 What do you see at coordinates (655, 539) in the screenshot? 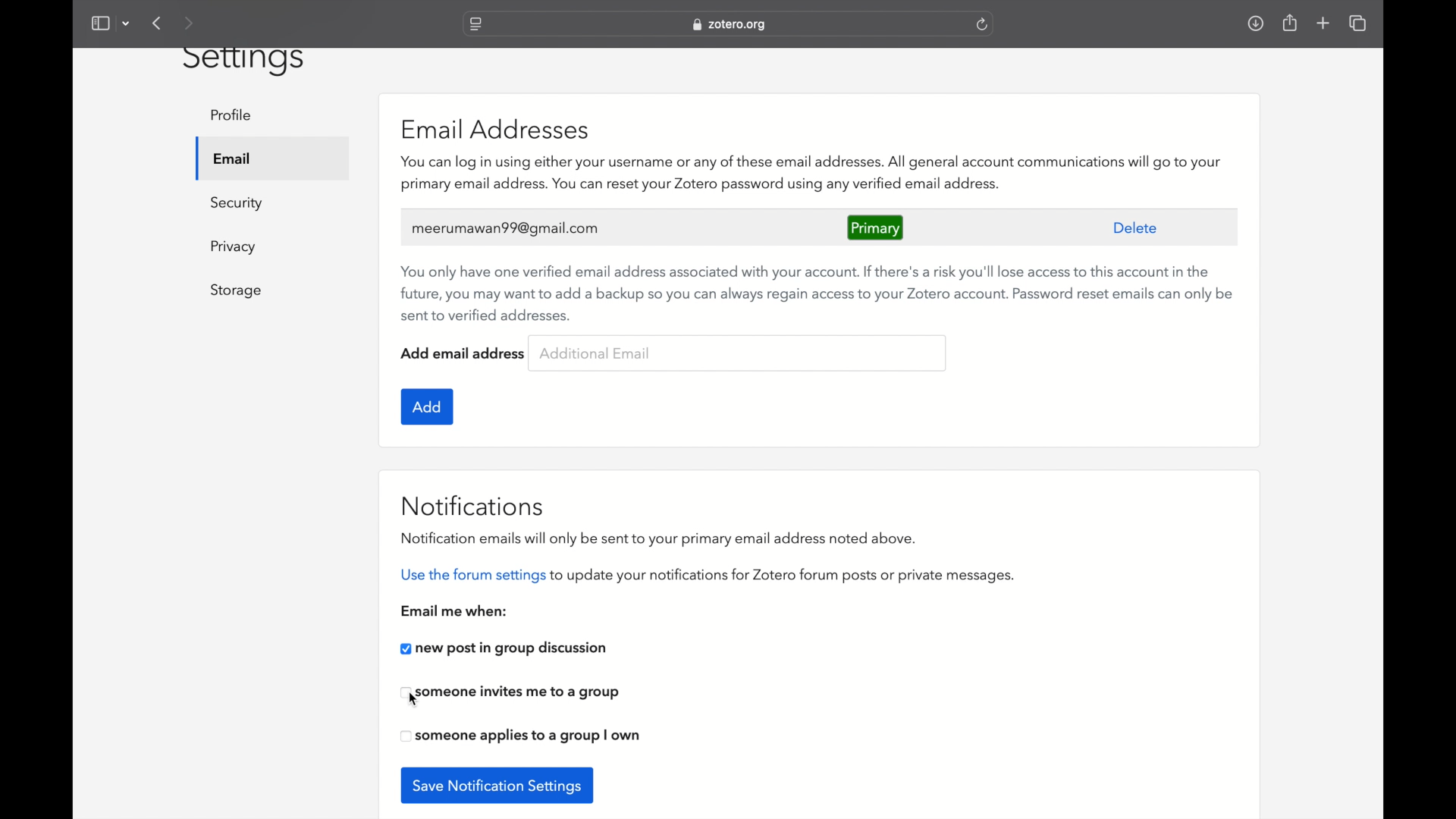
I see `notification emails will only be sent to your primary email address noted above` at bounding box center [655, 539].